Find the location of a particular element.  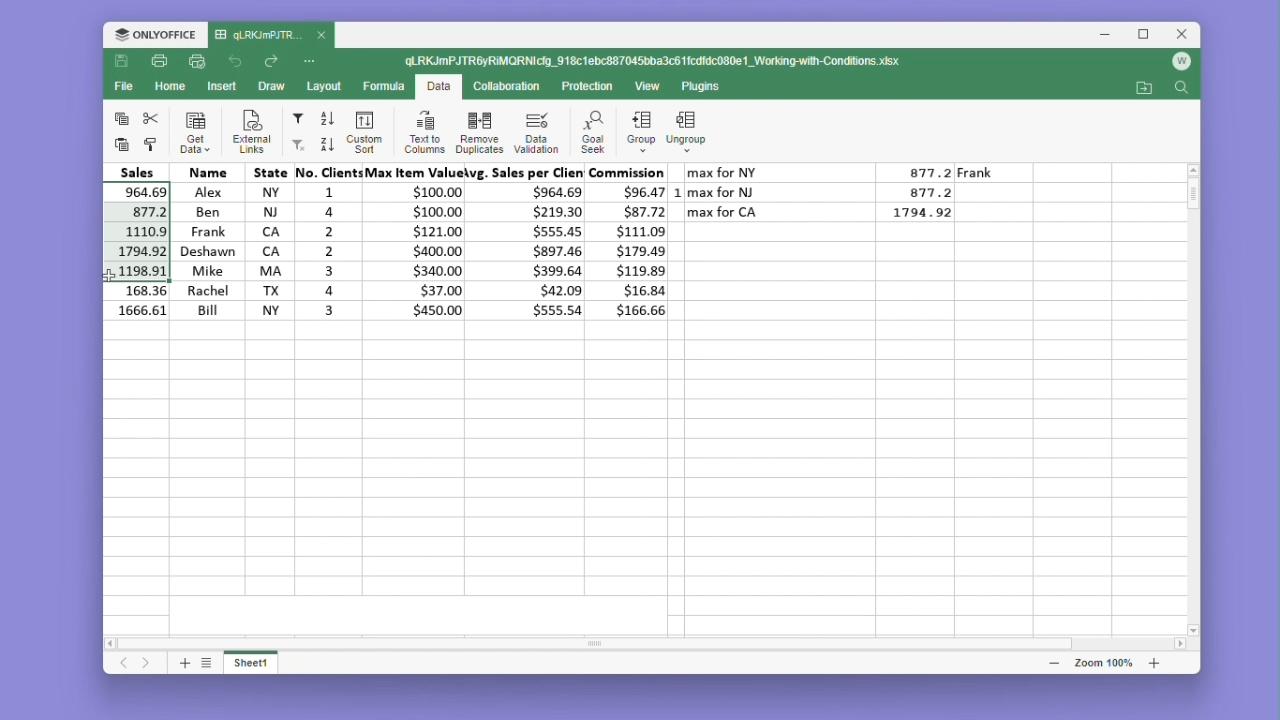

custom sort is located at coordinates (362, 132).